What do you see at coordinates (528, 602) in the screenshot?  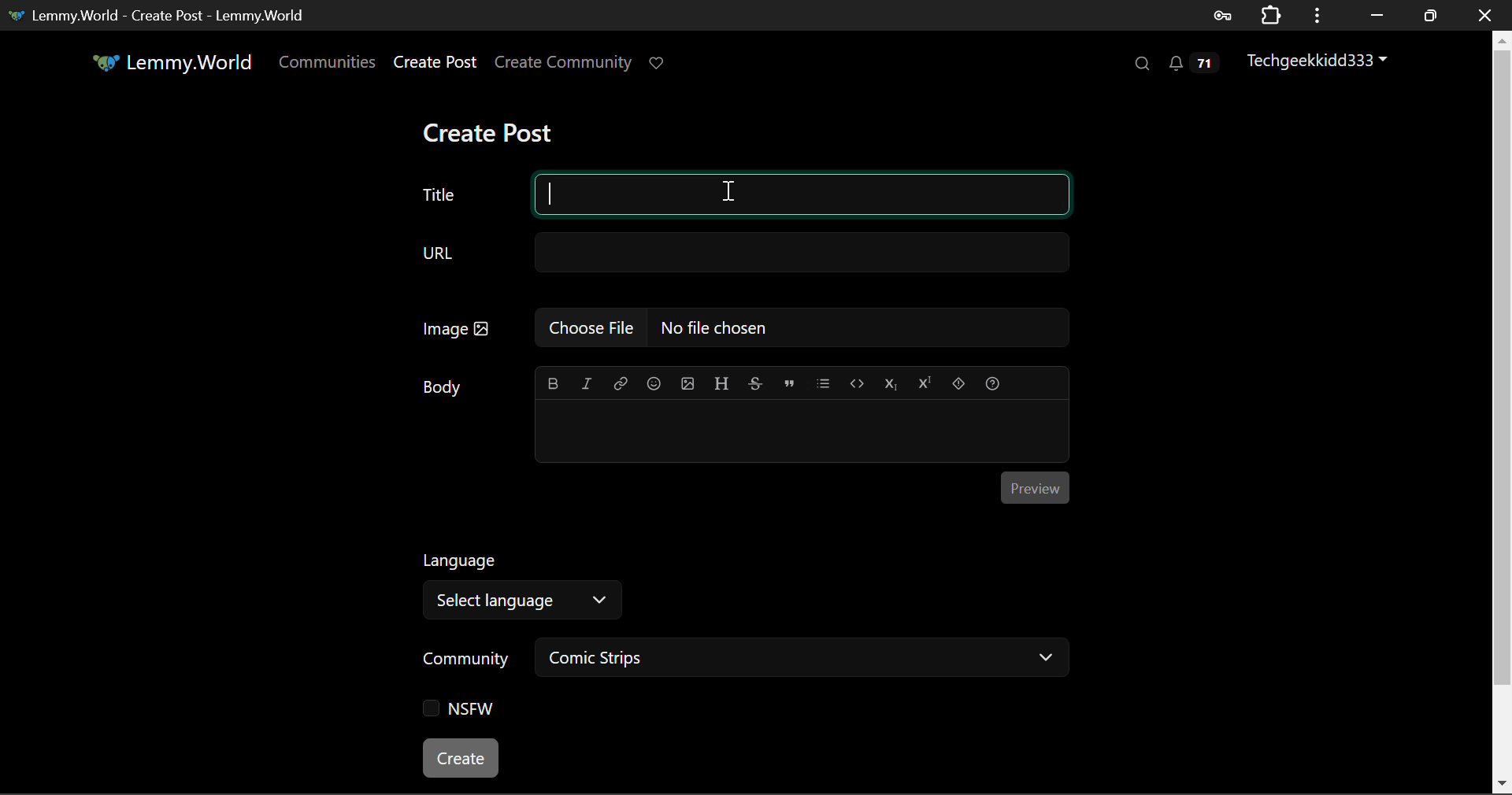 I see `Select Language` at bounding box center [528, 602].